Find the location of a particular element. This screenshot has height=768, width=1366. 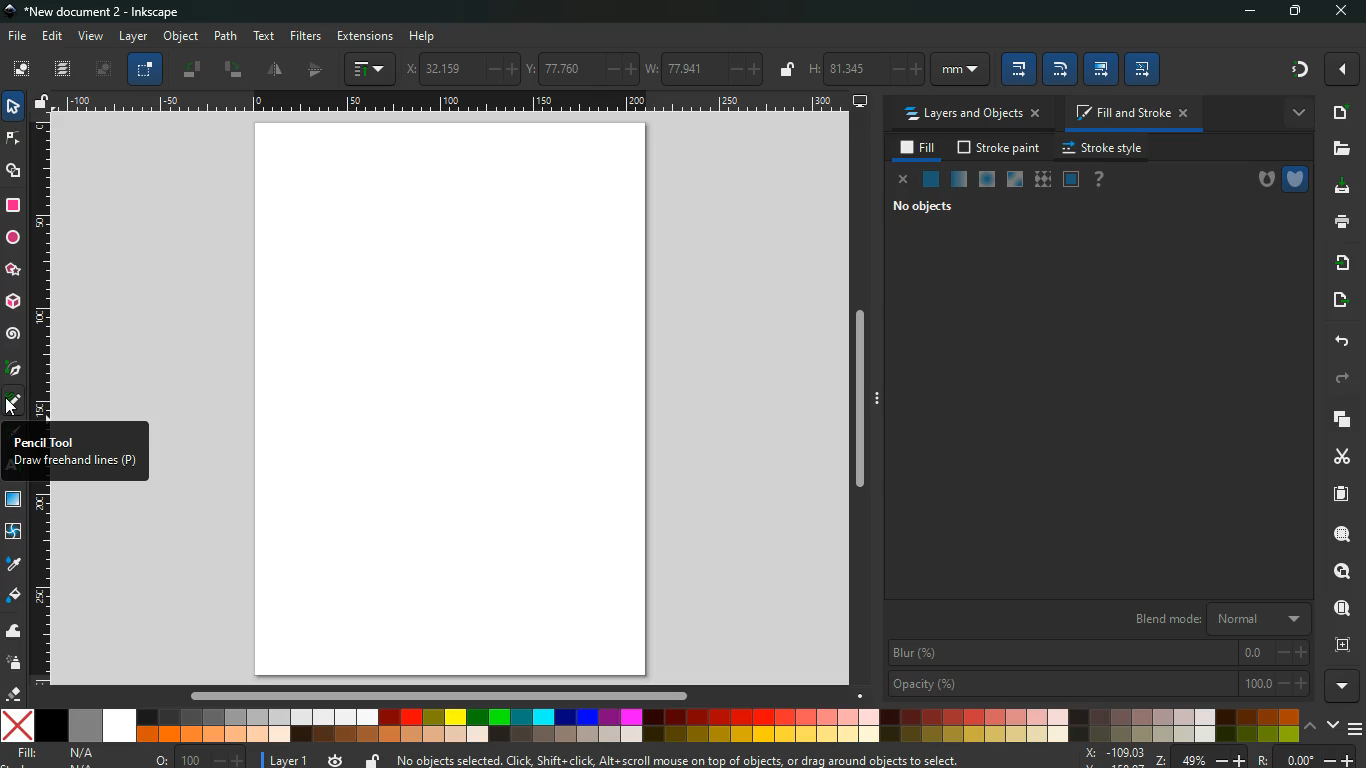

time is located at coordinates (337, 760).